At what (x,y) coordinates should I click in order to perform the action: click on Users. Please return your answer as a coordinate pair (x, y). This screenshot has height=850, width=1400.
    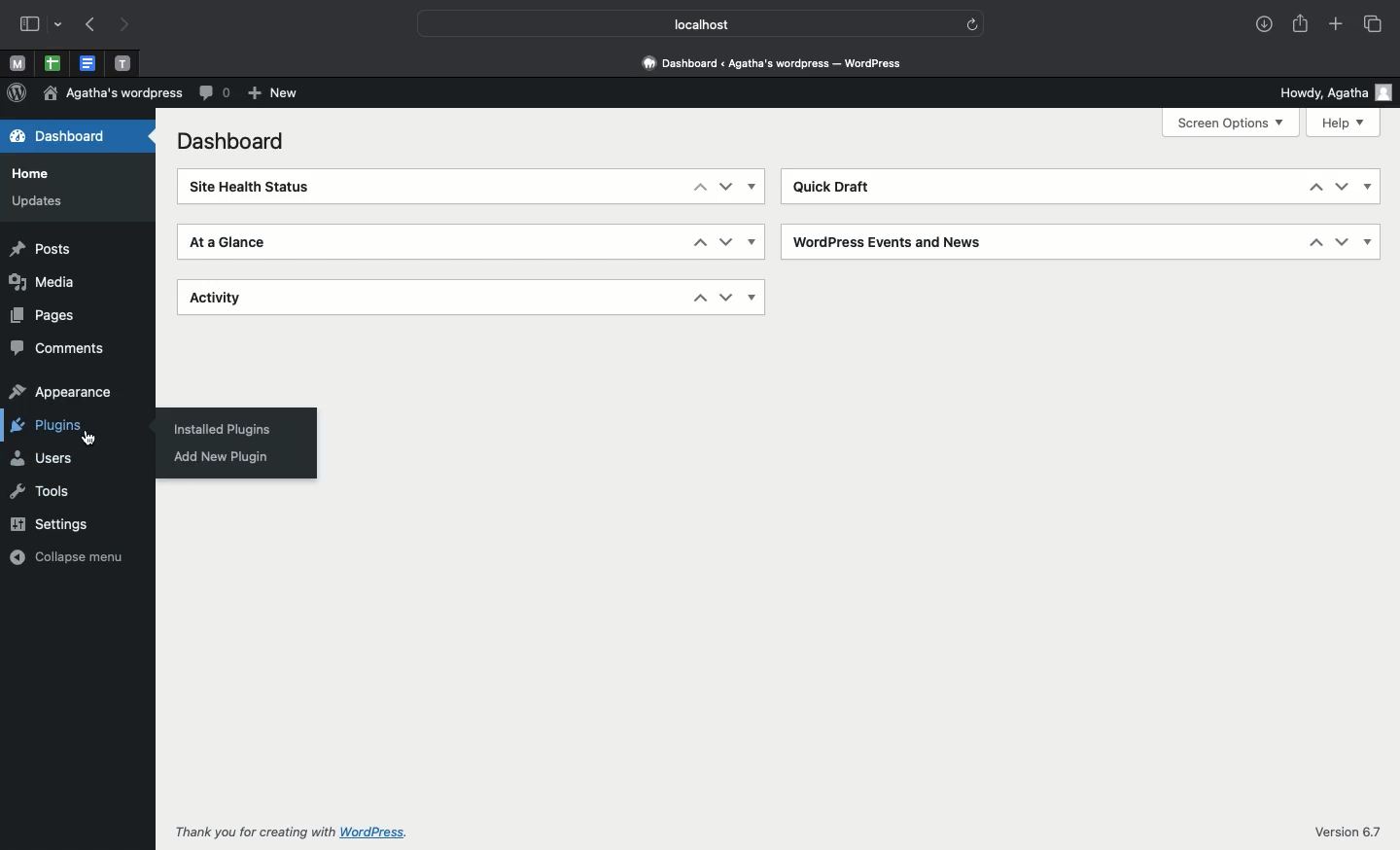
    Looking at the image, I should click on (50, 458).